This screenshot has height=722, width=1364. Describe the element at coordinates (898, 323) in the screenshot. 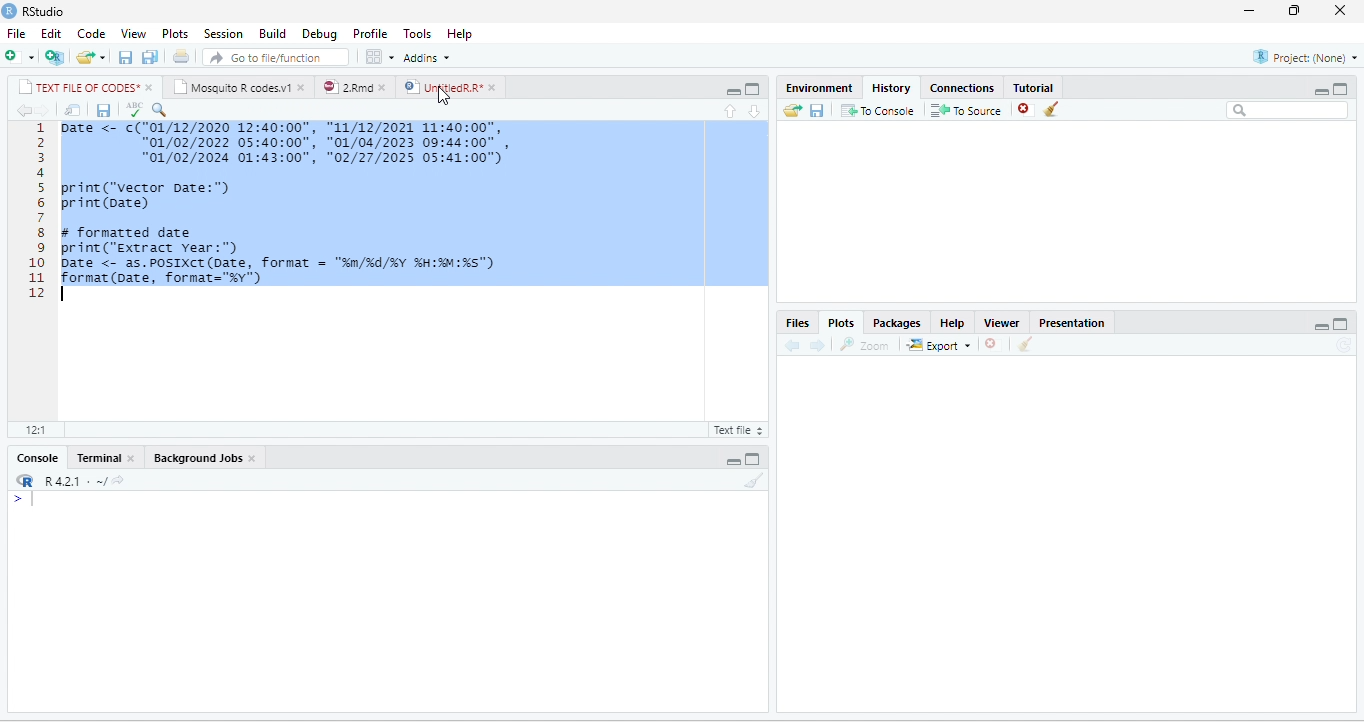

I see `Packages` at that location.